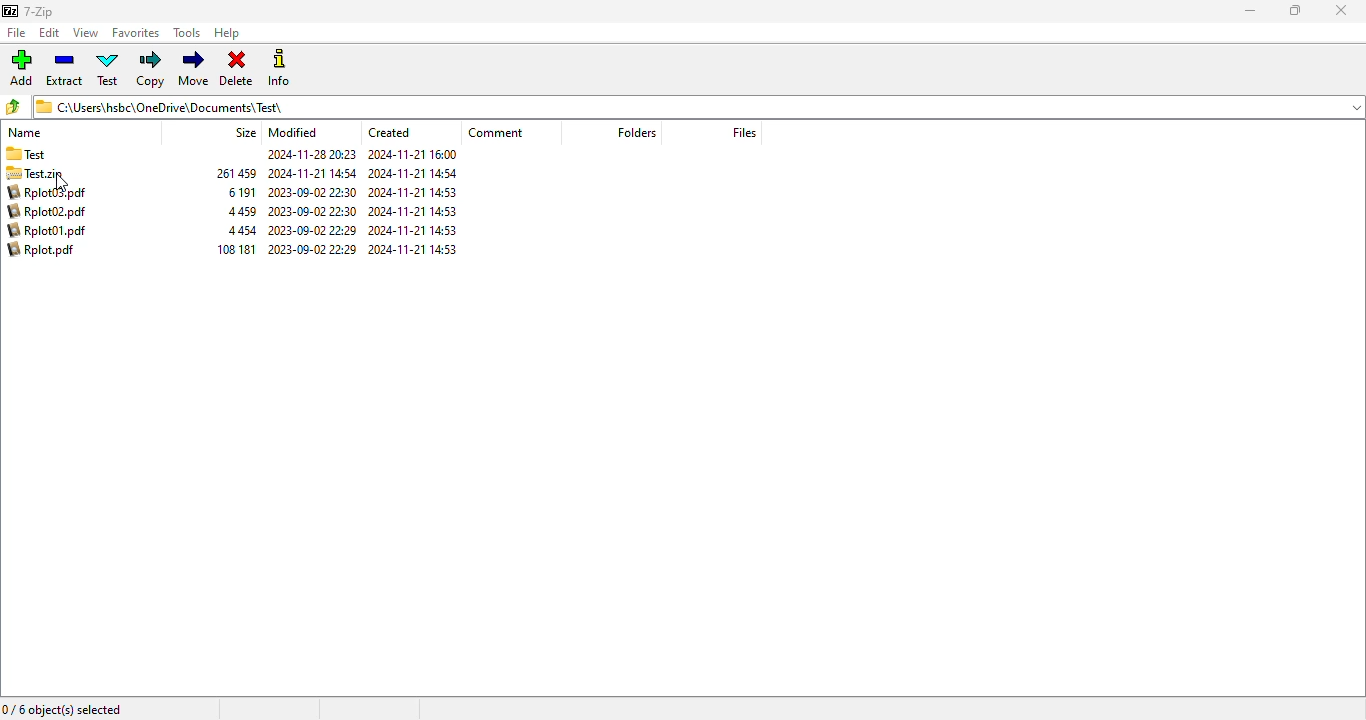 This screenshot has height=720, width=1366. Describe the element at coordinates (1357, 106) in the screenshot. I see `dropdown` at that location.